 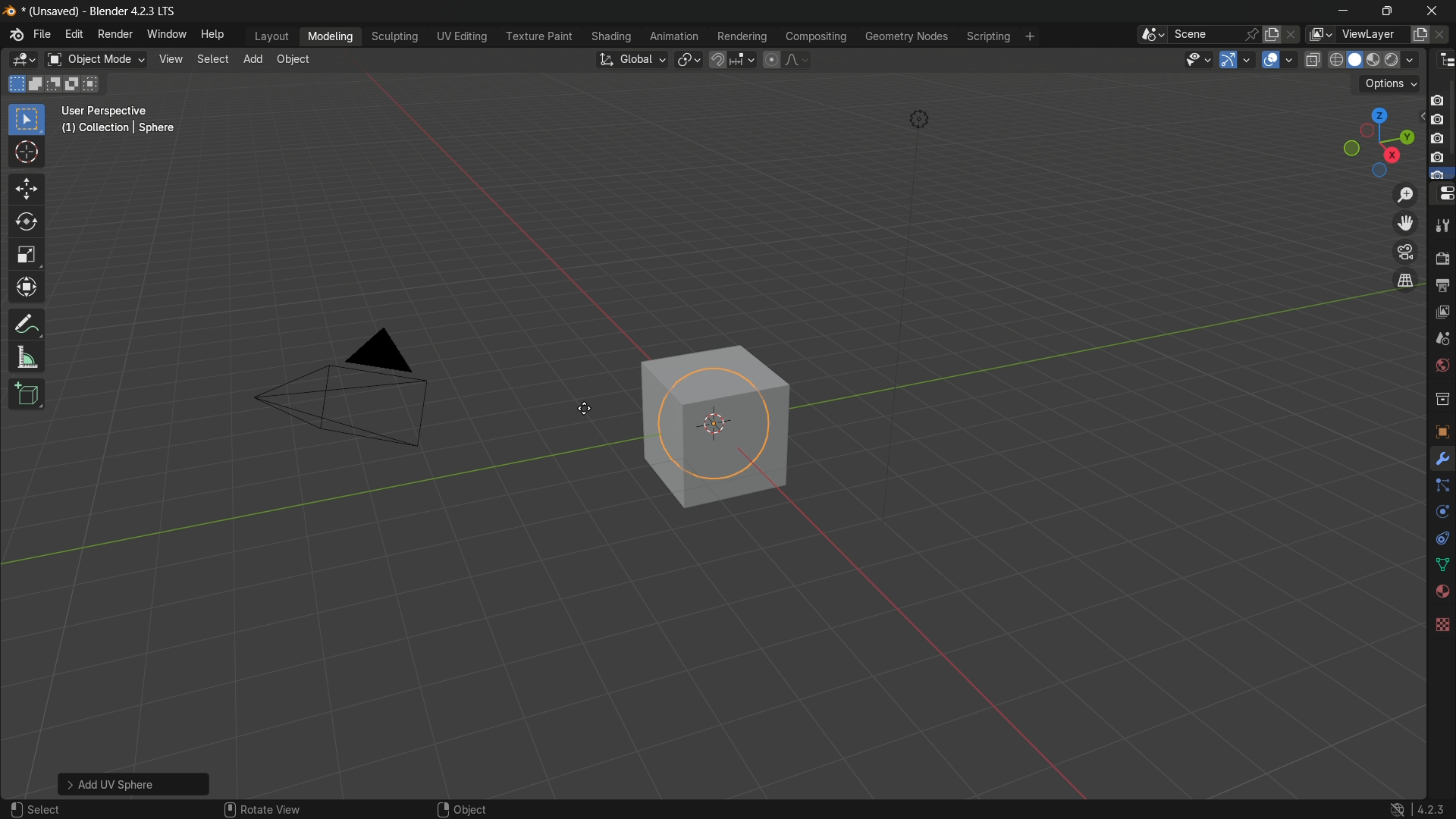 I want to click on User Perspective (1) Collection | Sphere, so click(x=118, y=119).